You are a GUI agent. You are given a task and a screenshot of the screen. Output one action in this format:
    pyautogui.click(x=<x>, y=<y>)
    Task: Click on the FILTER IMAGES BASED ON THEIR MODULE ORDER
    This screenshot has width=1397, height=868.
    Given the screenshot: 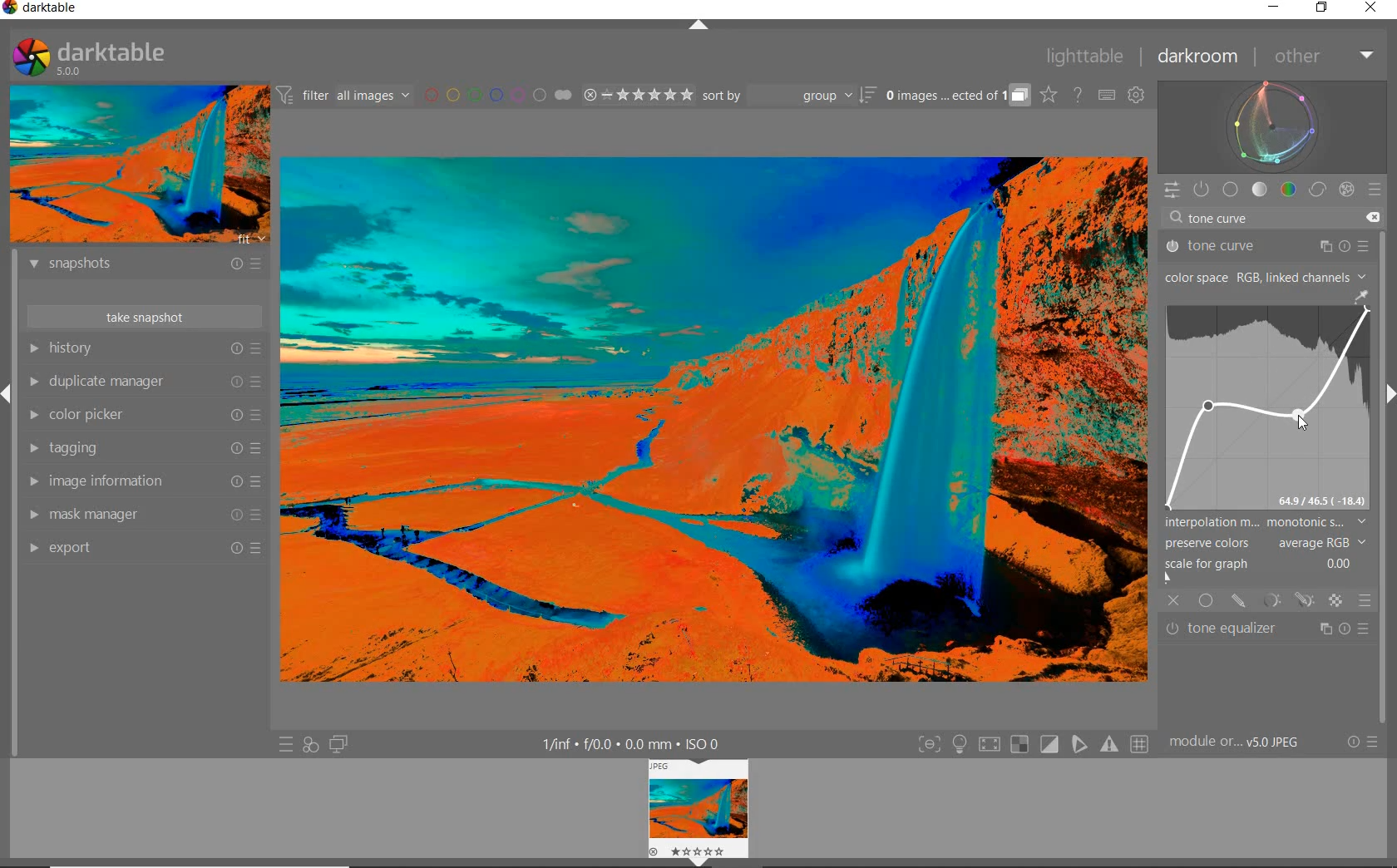 What is the action you would take?
    pyautogui.click(x=343, y=96)
    